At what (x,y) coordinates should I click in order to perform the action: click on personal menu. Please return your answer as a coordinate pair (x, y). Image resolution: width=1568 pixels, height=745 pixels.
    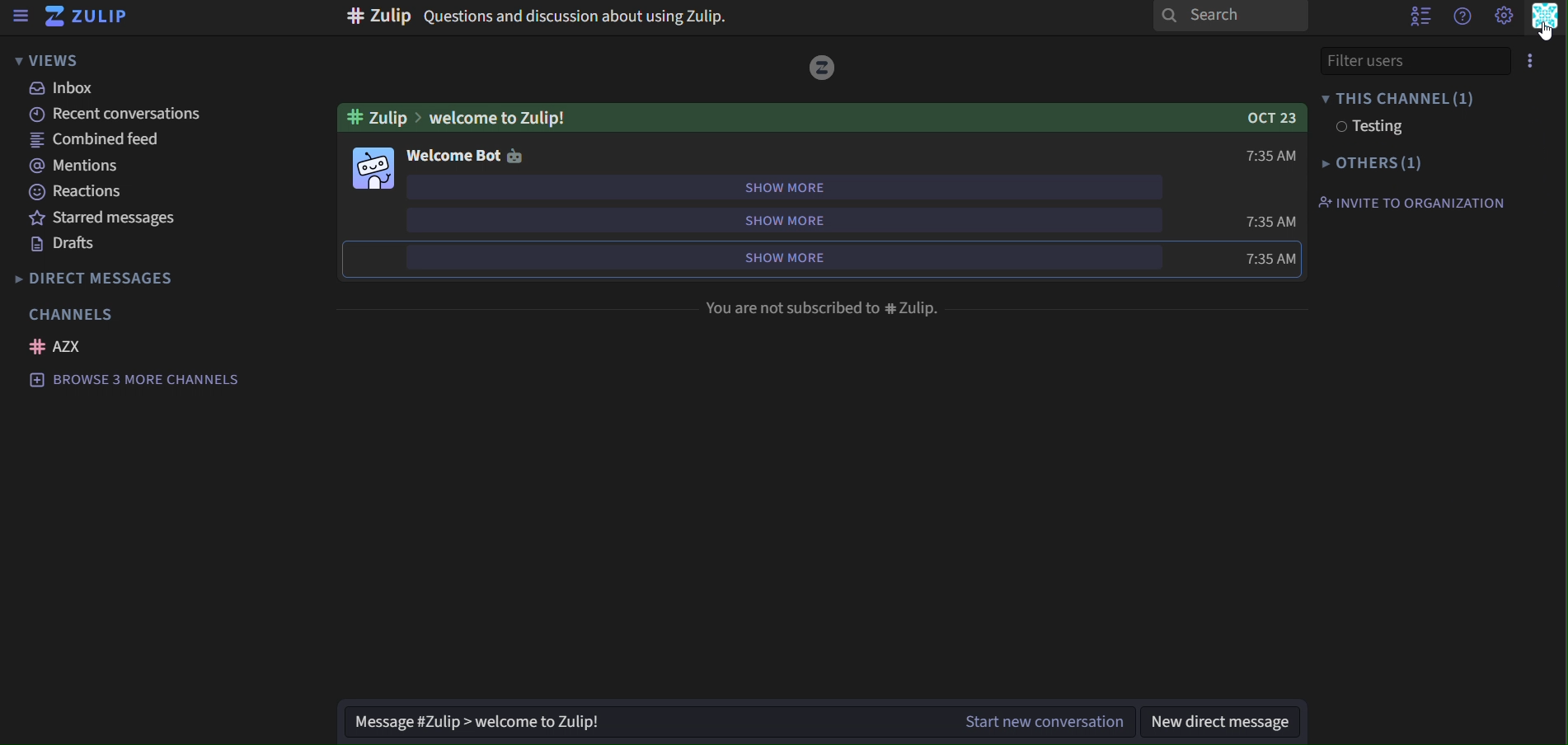
    Looking at the image, I should click on (1543, 22).